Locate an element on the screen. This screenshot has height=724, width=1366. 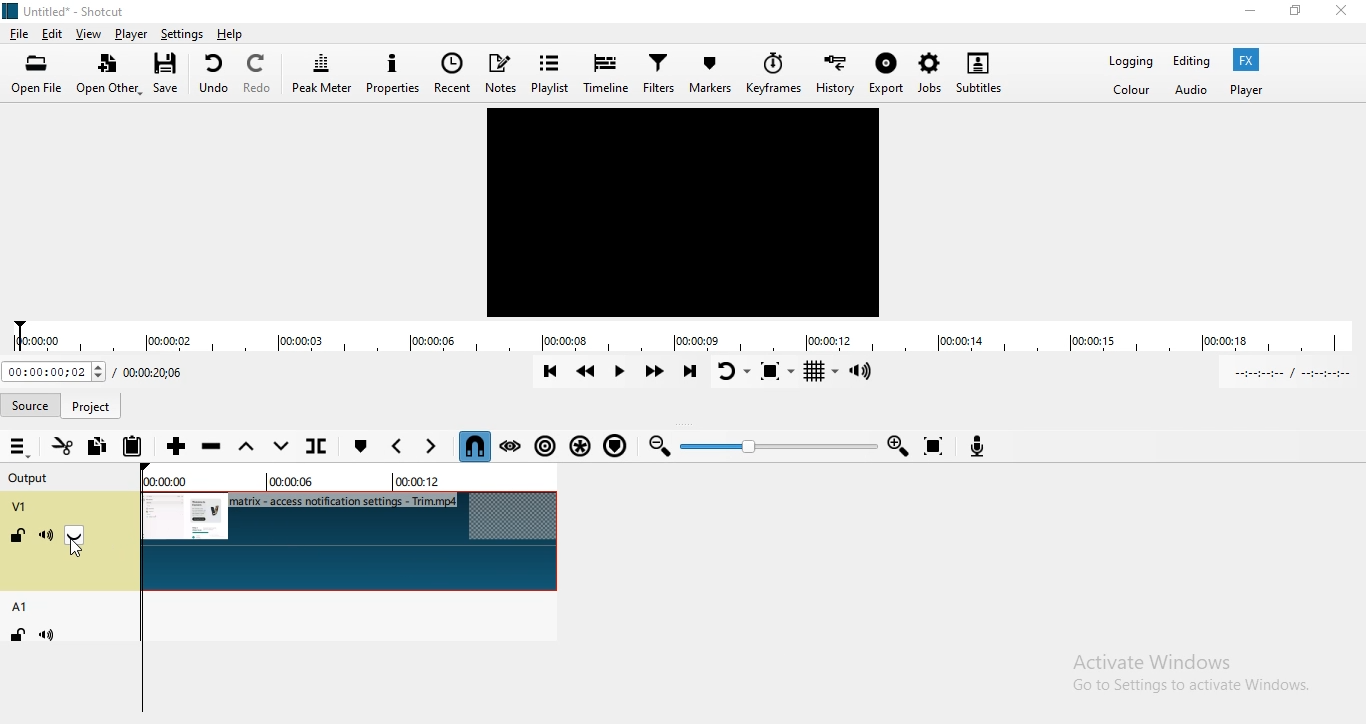
Record audio is located at coordinates (981, 446).